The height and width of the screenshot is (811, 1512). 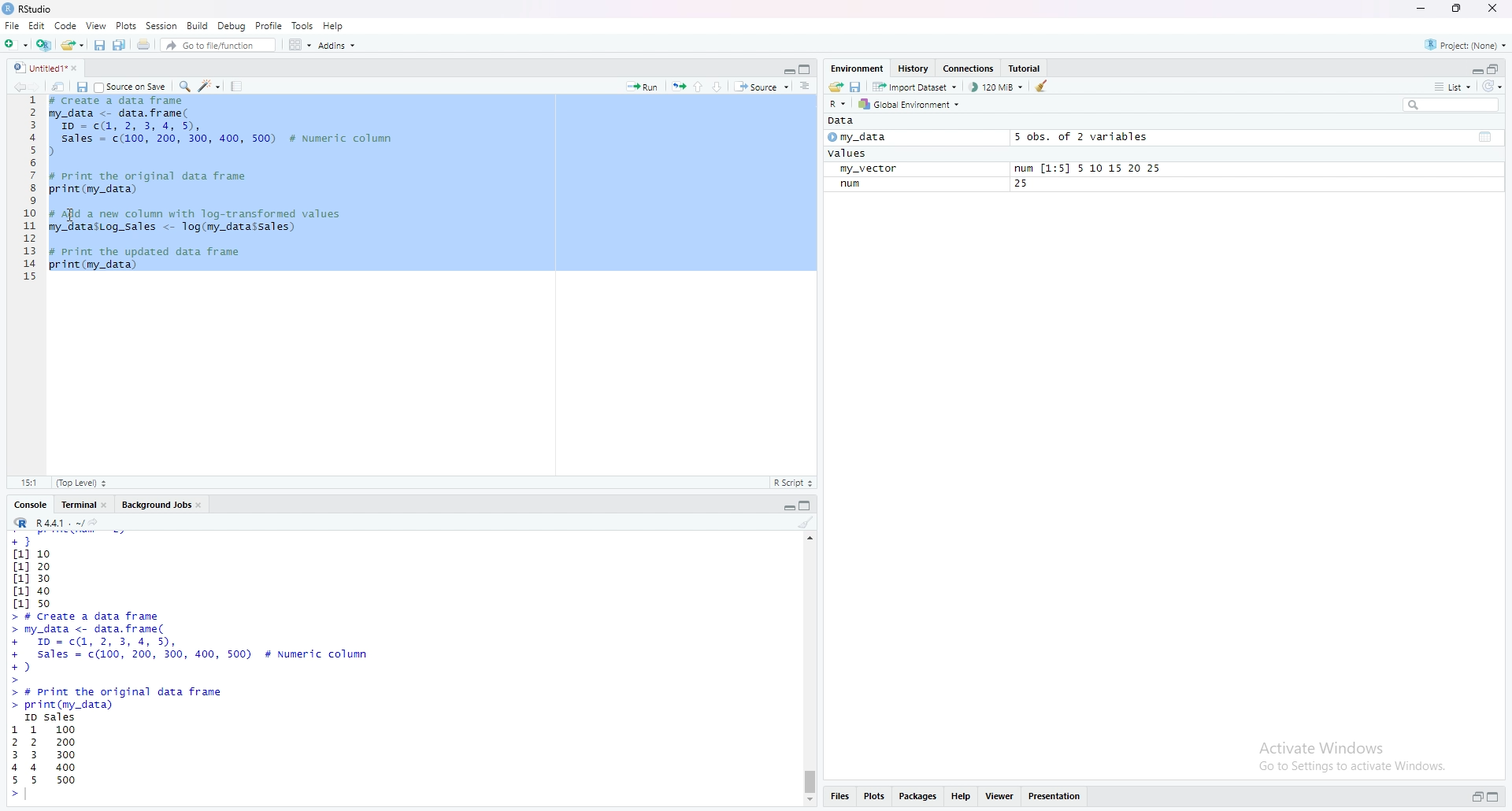 I want to click on show in new window, so click(x=61, y=88).